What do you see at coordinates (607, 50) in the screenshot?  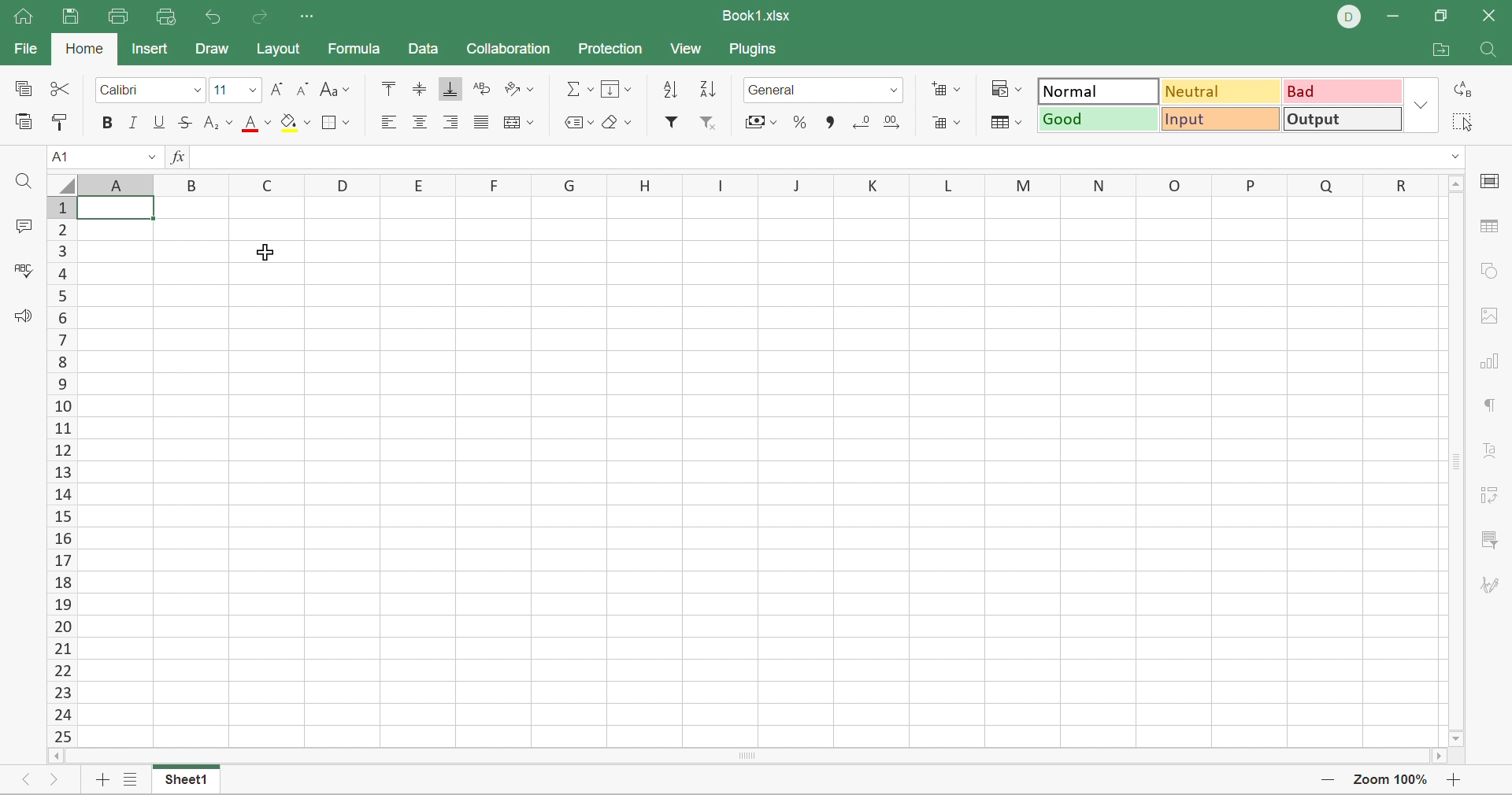 I see `Protection` at bounding box center [607, 50].